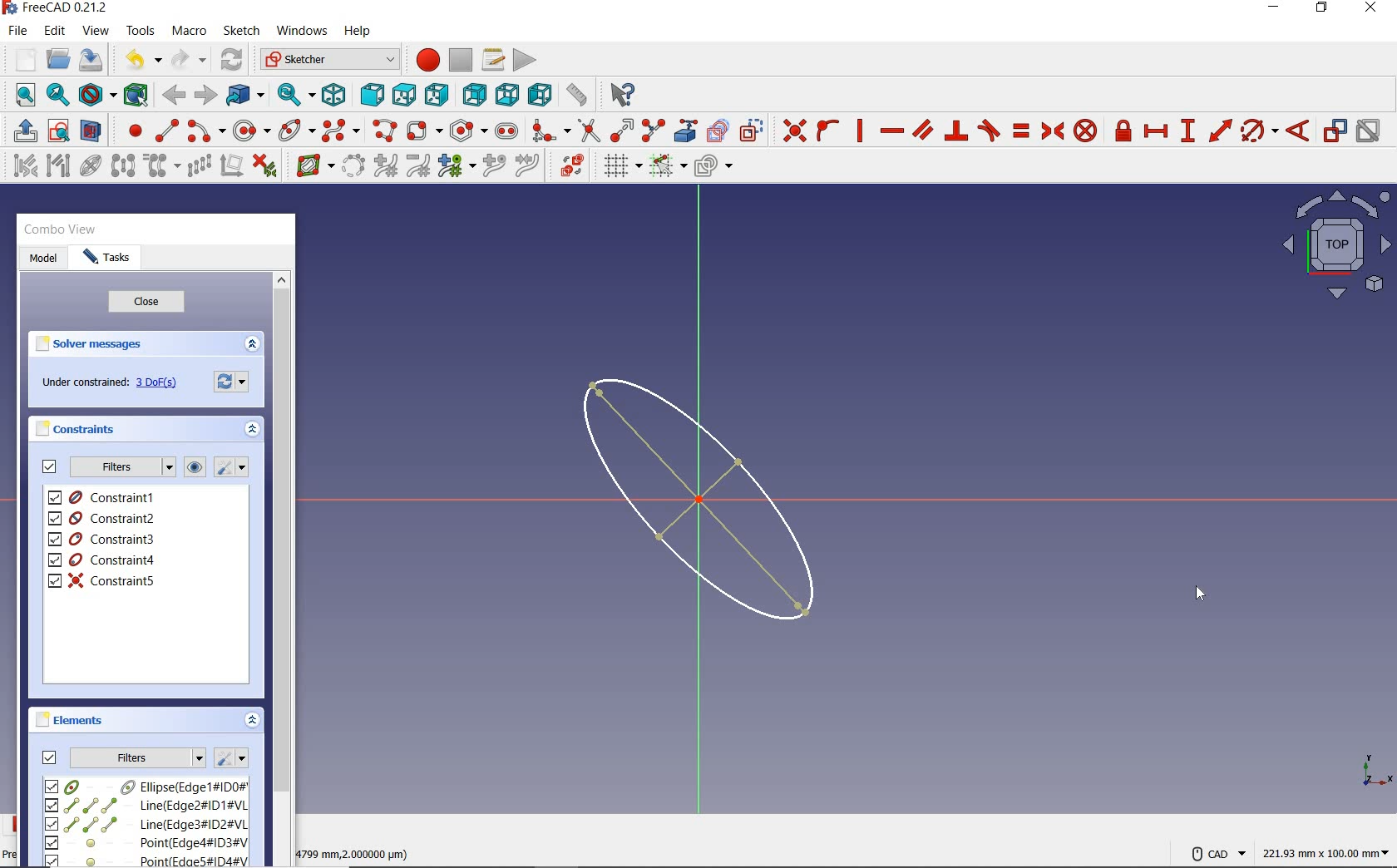  Describe the element at coordinates (146, 303) in the screenshot. I see `close` at that location.